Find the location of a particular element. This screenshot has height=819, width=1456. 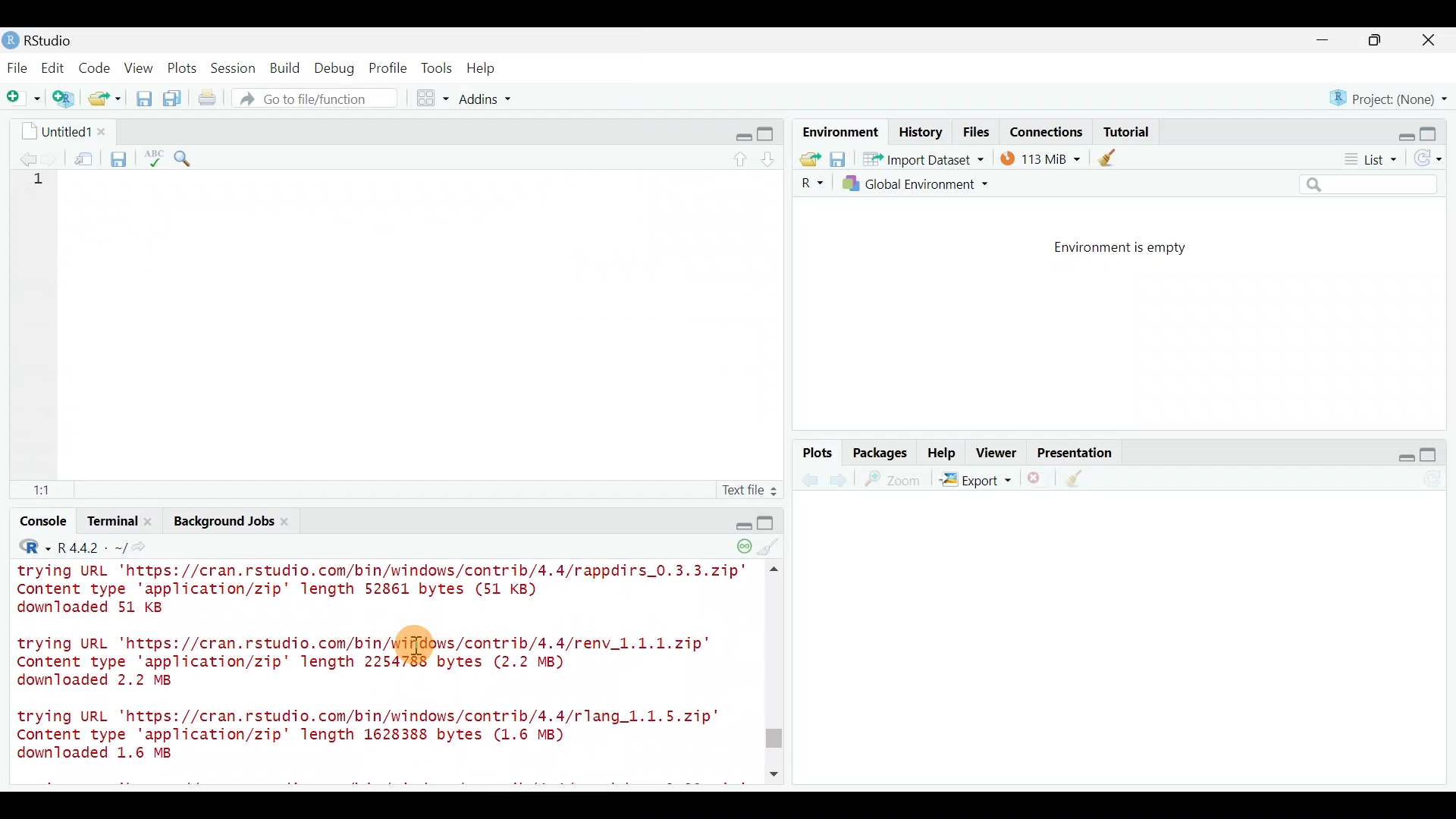

clear all plots is located at coordinates (1083, 481).